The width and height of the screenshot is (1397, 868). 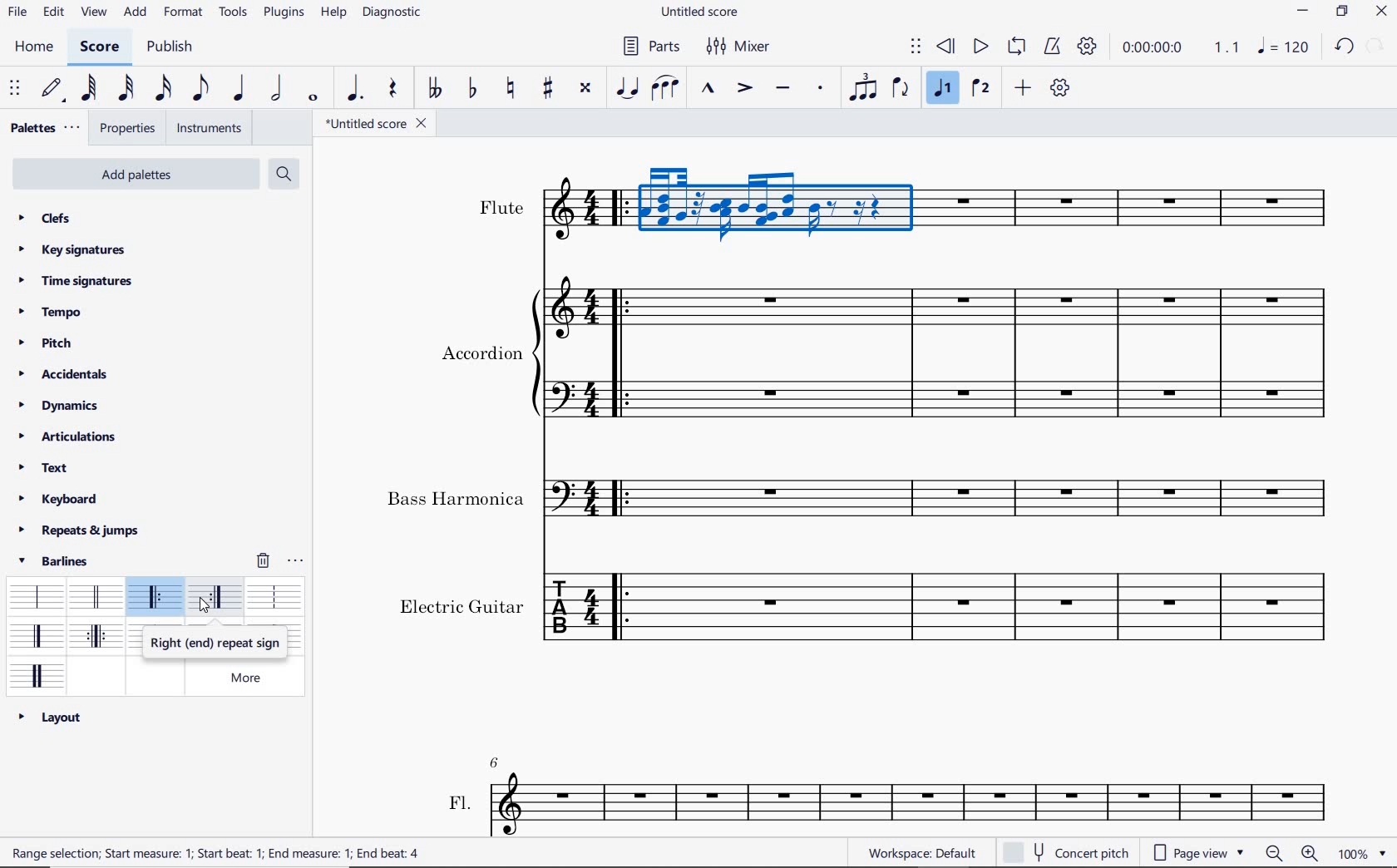 What do you see at coordinates (627, 86) in the screenshot?
I see `tie` at bounding box center [627, 86].